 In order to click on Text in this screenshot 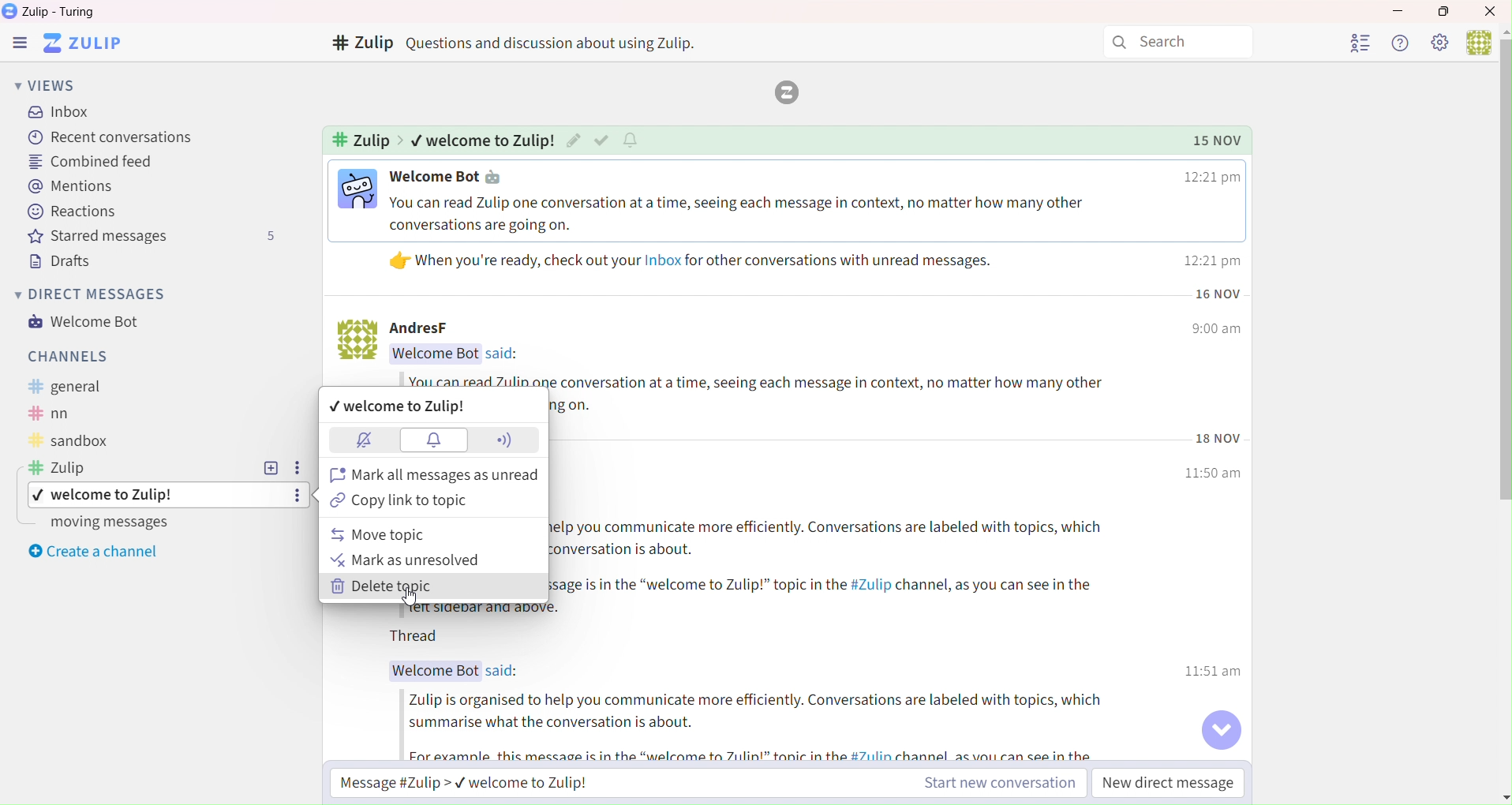, I will do `click(360, 140)`.